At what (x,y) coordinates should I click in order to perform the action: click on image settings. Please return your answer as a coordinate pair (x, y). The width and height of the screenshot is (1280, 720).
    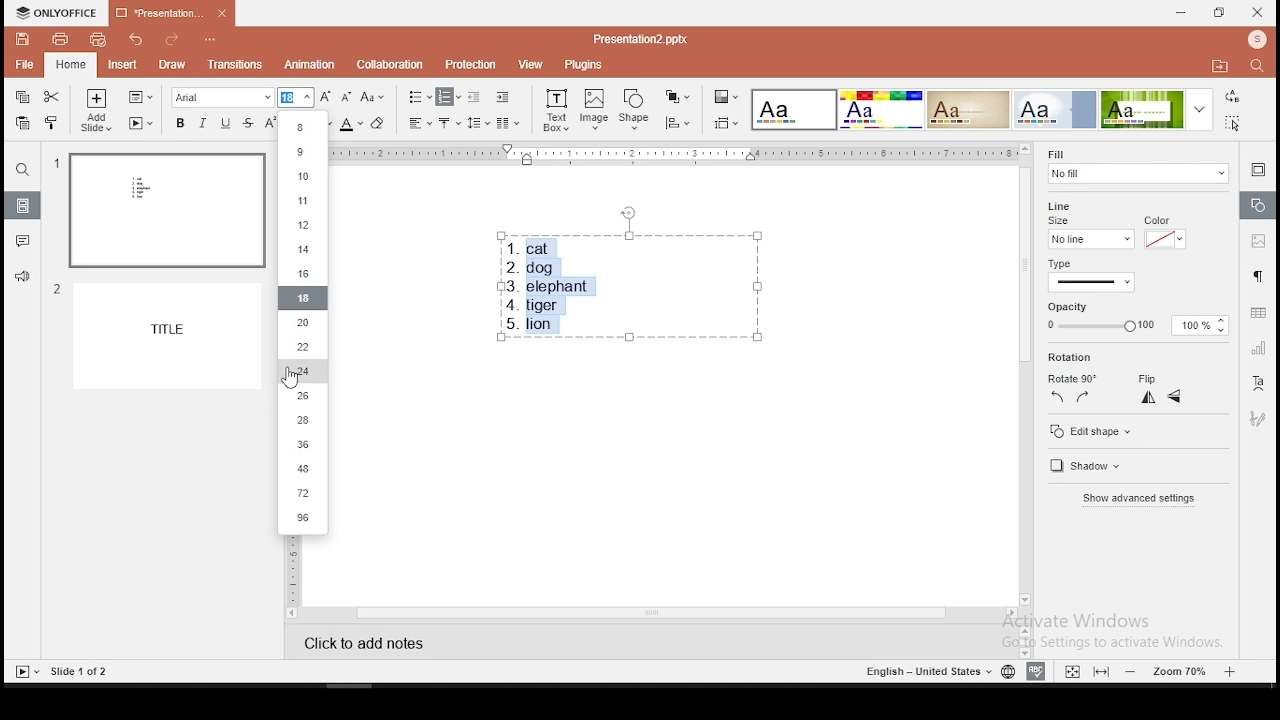
    Looking at the image, I should click on (1258, 240).